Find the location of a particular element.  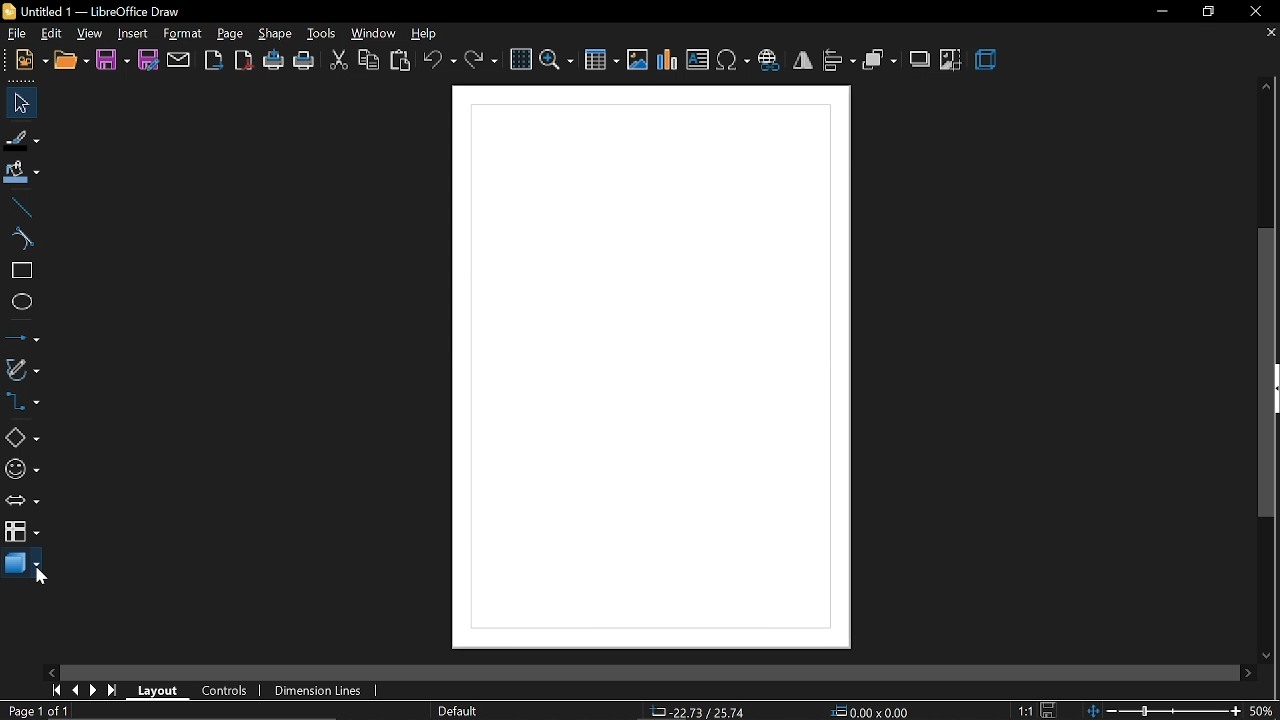

arrows is located at coordinates (22, 500).